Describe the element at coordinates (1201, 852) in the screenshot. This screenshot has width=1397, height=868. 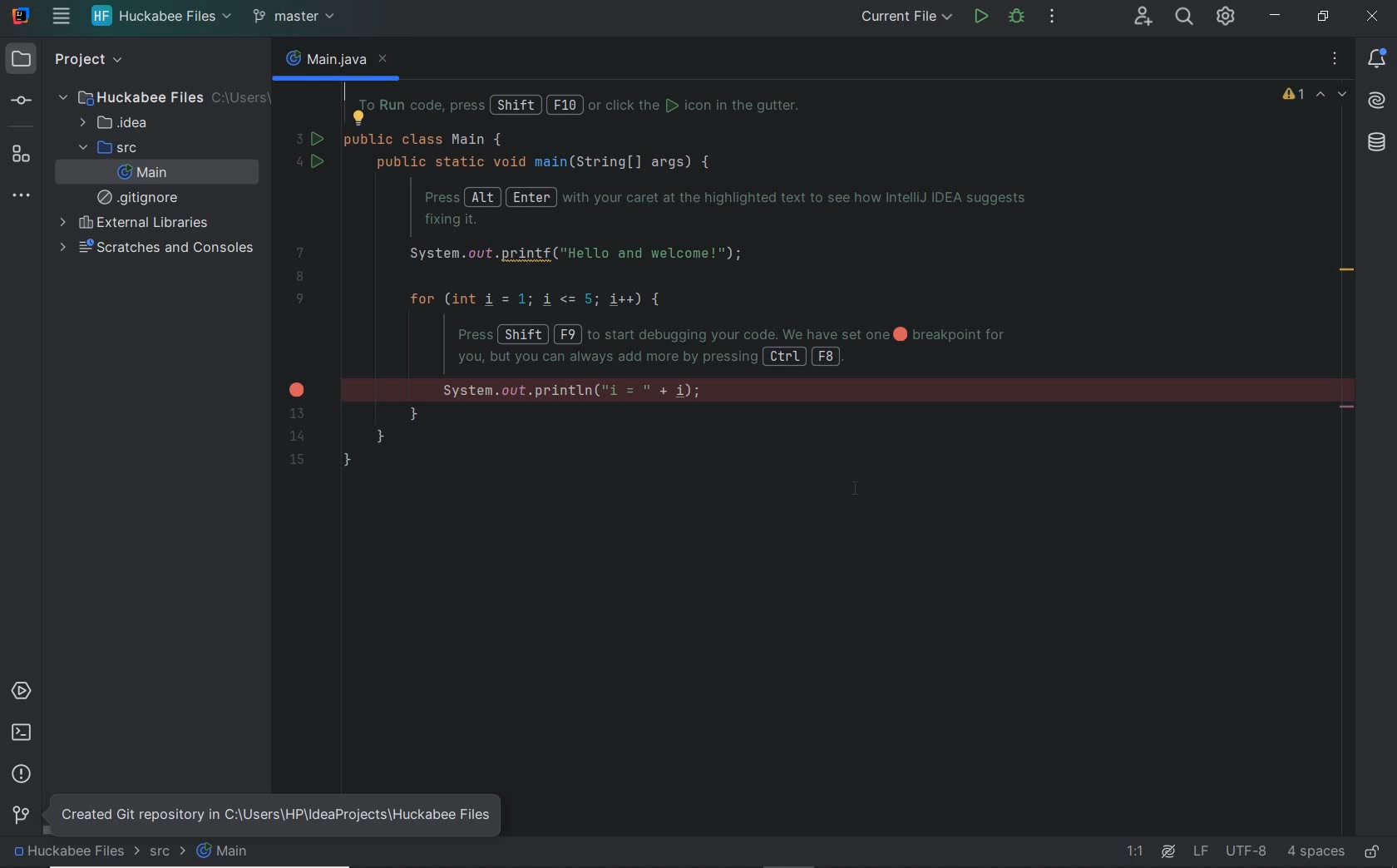
I see `line separator` at that location.